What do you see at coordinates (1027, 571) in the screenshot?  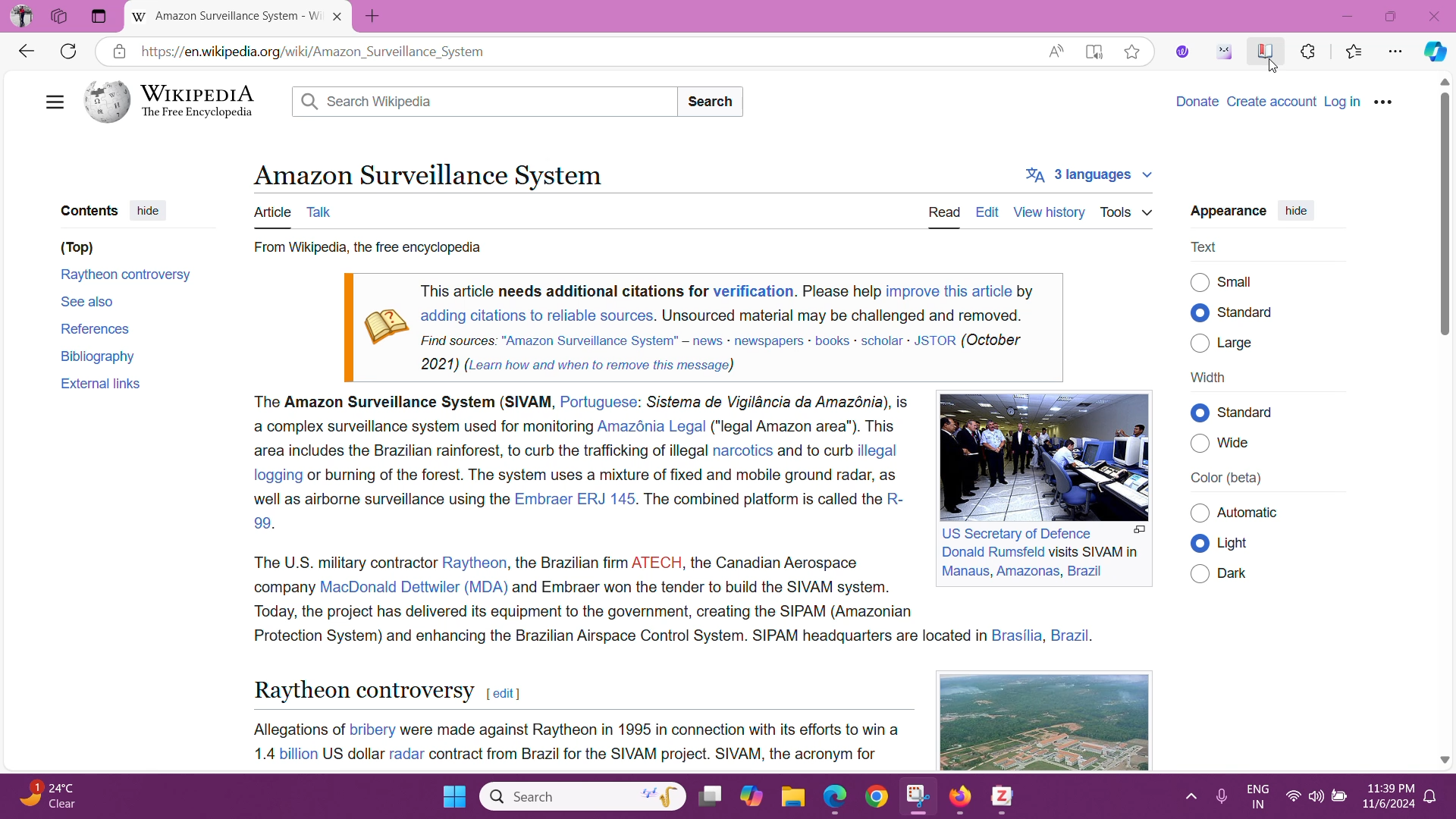 I see `Amazonas` at bounding box center [1027, 571].